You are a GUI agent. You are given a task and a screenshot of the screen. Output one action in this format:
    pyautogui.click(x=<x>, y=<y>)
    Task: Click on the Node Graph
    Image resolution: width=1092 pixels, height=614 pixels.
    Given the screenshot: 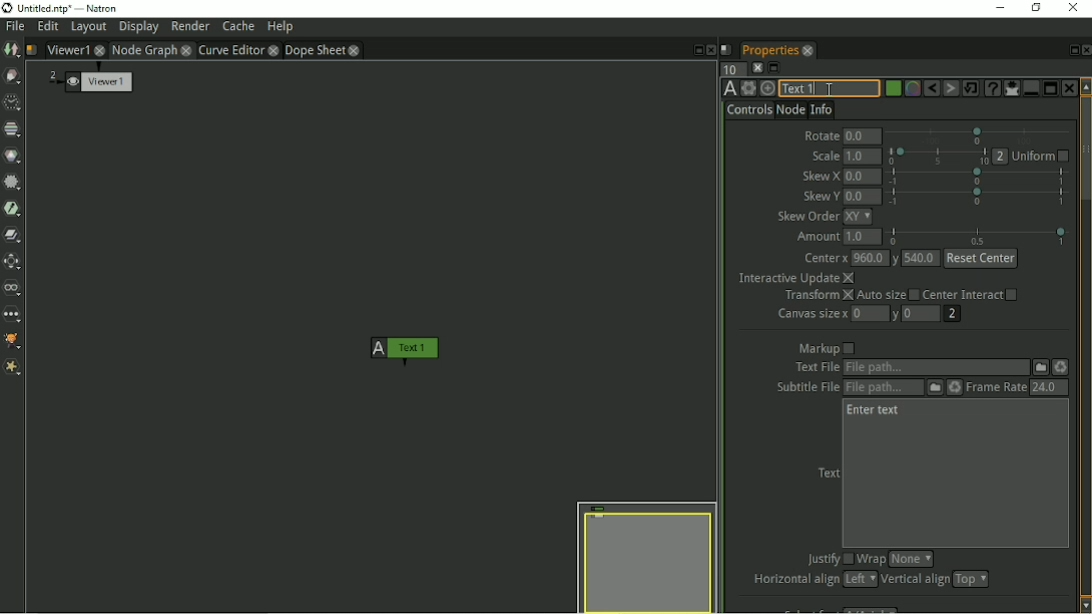 What is the action you would take?
    pyautogui.click(x=144, y=50)
    